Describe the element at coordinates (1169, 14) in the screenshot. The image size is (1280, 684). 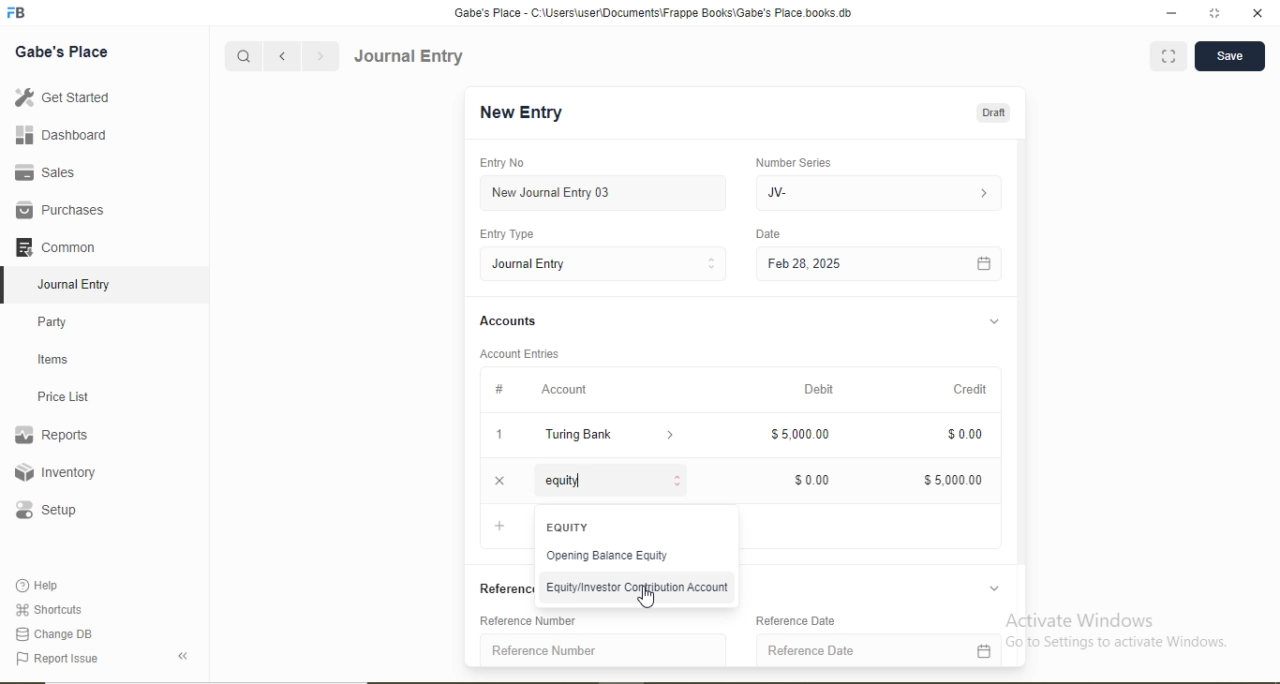
I see `minimize` at that location.